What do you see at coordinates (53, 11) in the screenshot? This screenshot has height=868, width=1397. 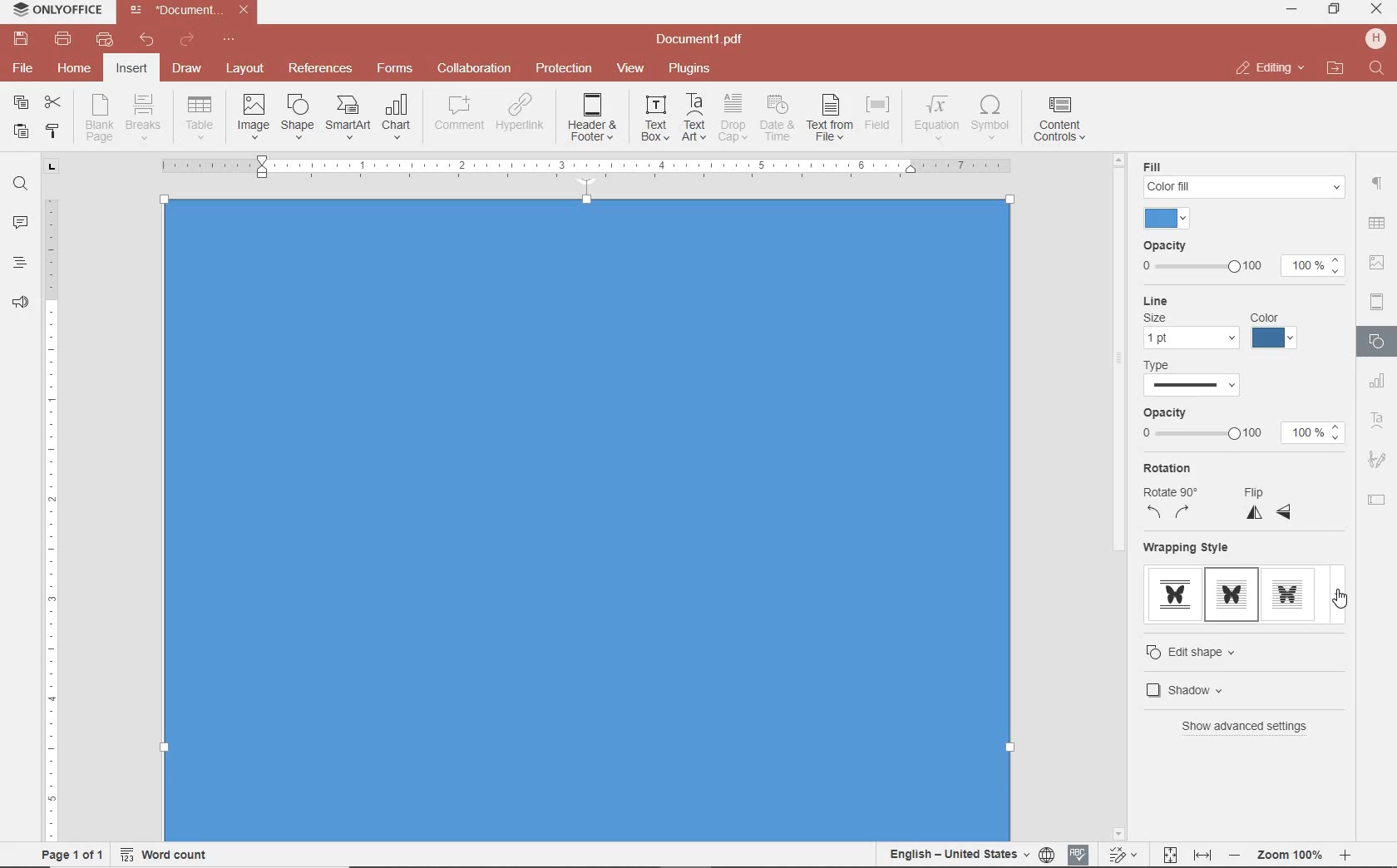 I see `system name` at bounding box center [53, 11].